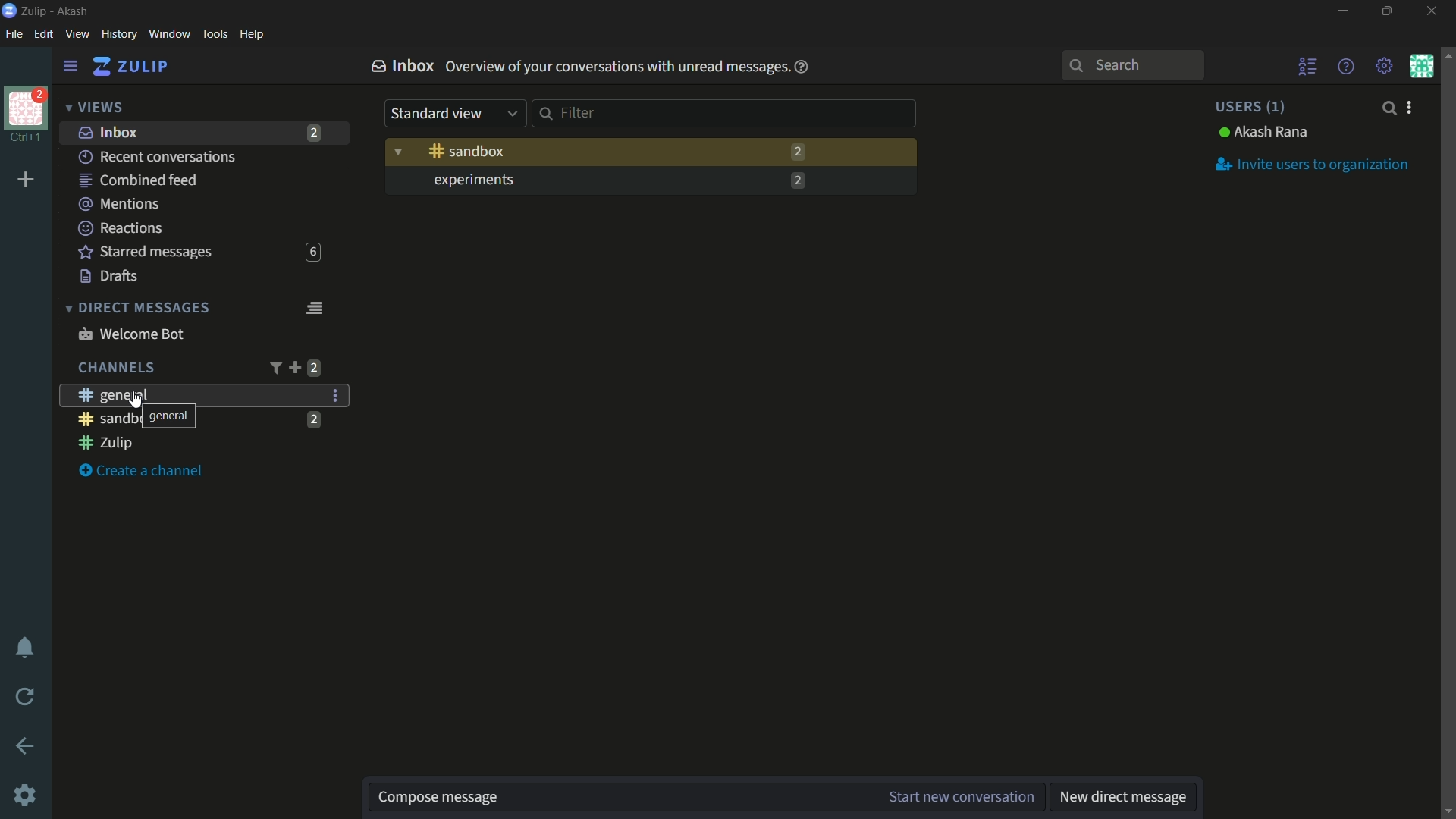  I want to click on general settings, so click(337, 395).